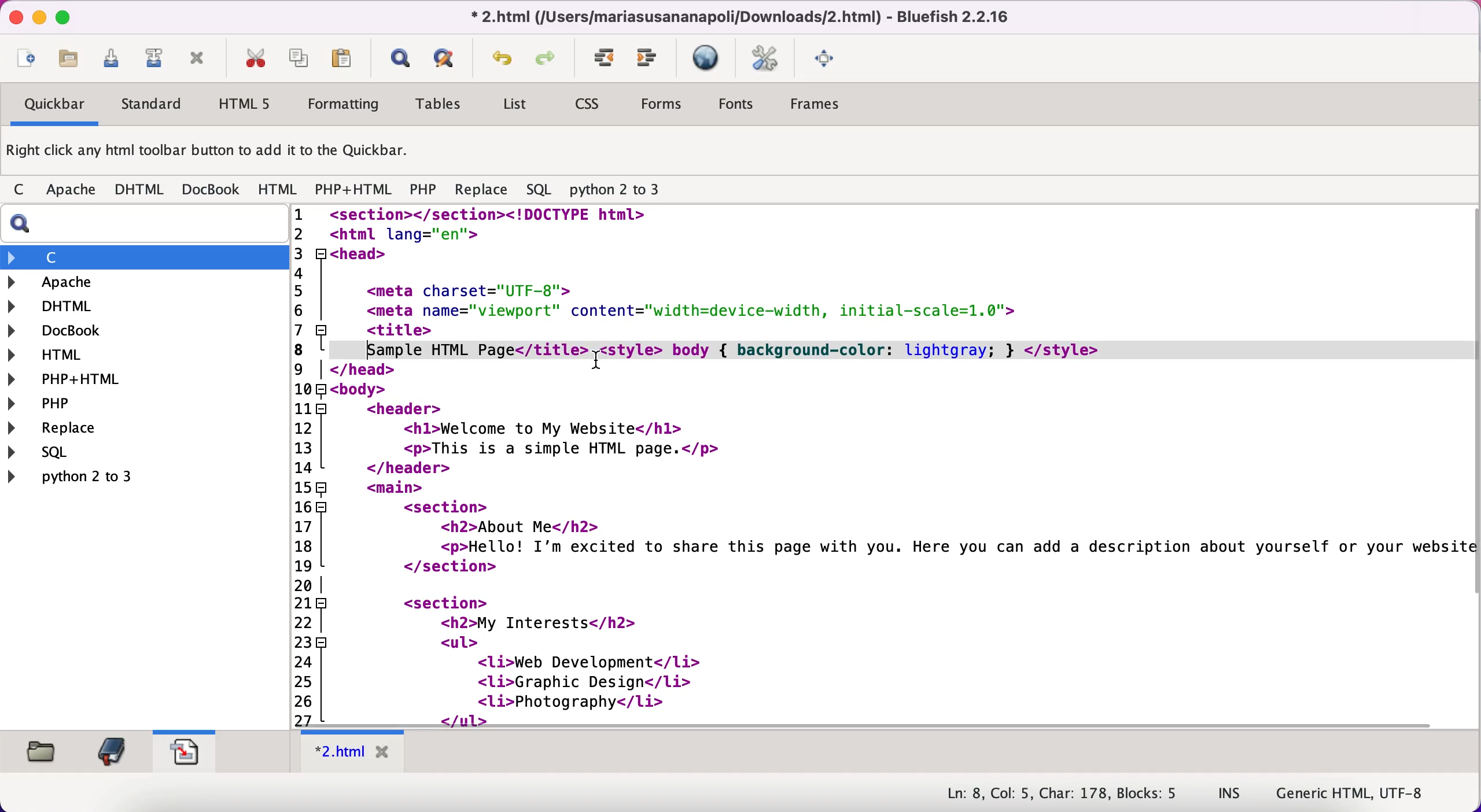 The image size is (1481, 812). What do you see at coordinates (153, 106) in the screenshot?
I see `standard` at bounding box center [153, 106].